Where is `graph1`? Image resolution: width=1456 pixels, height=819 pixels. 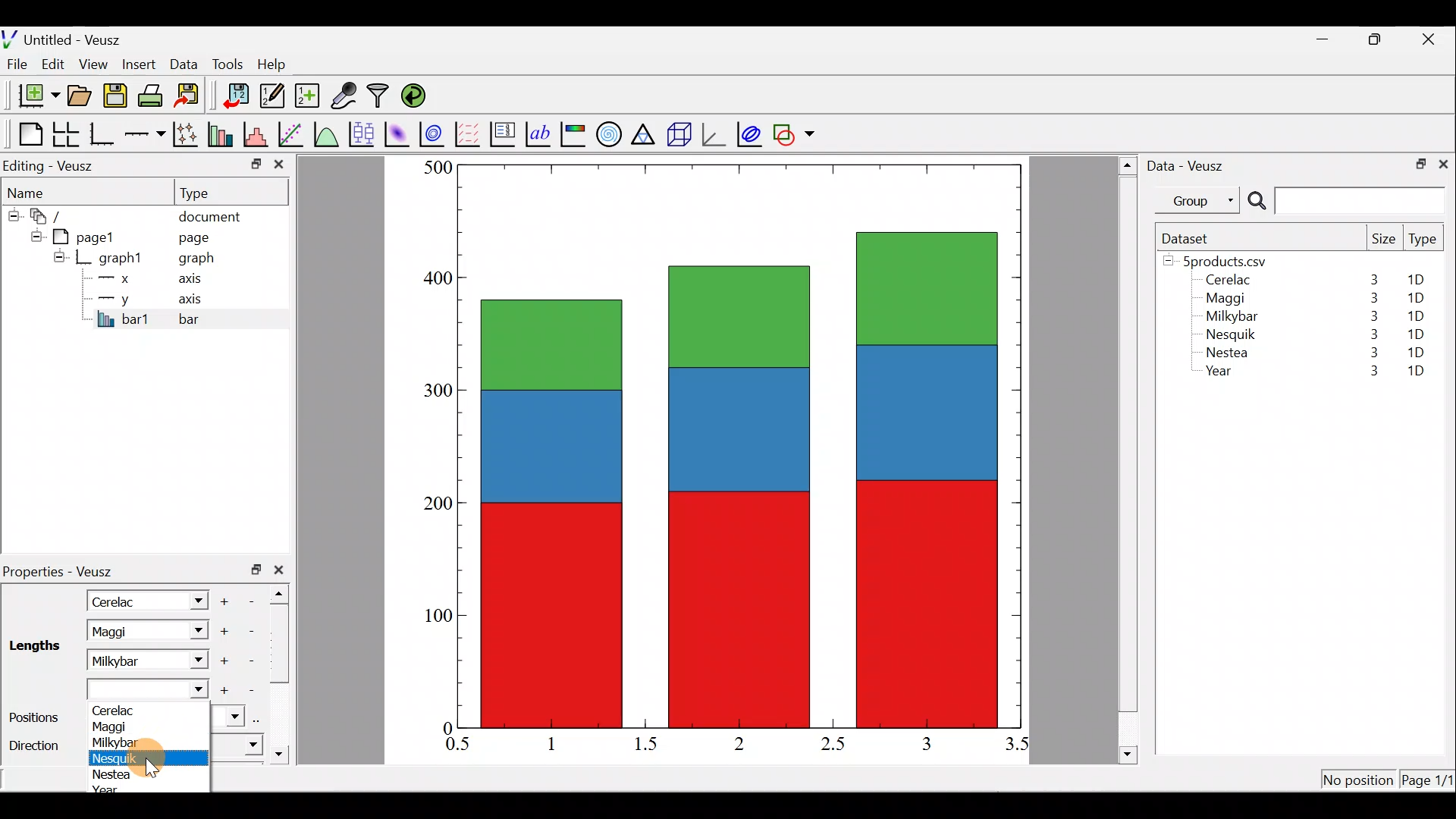 graph1 is located at coordinates (121, 259).